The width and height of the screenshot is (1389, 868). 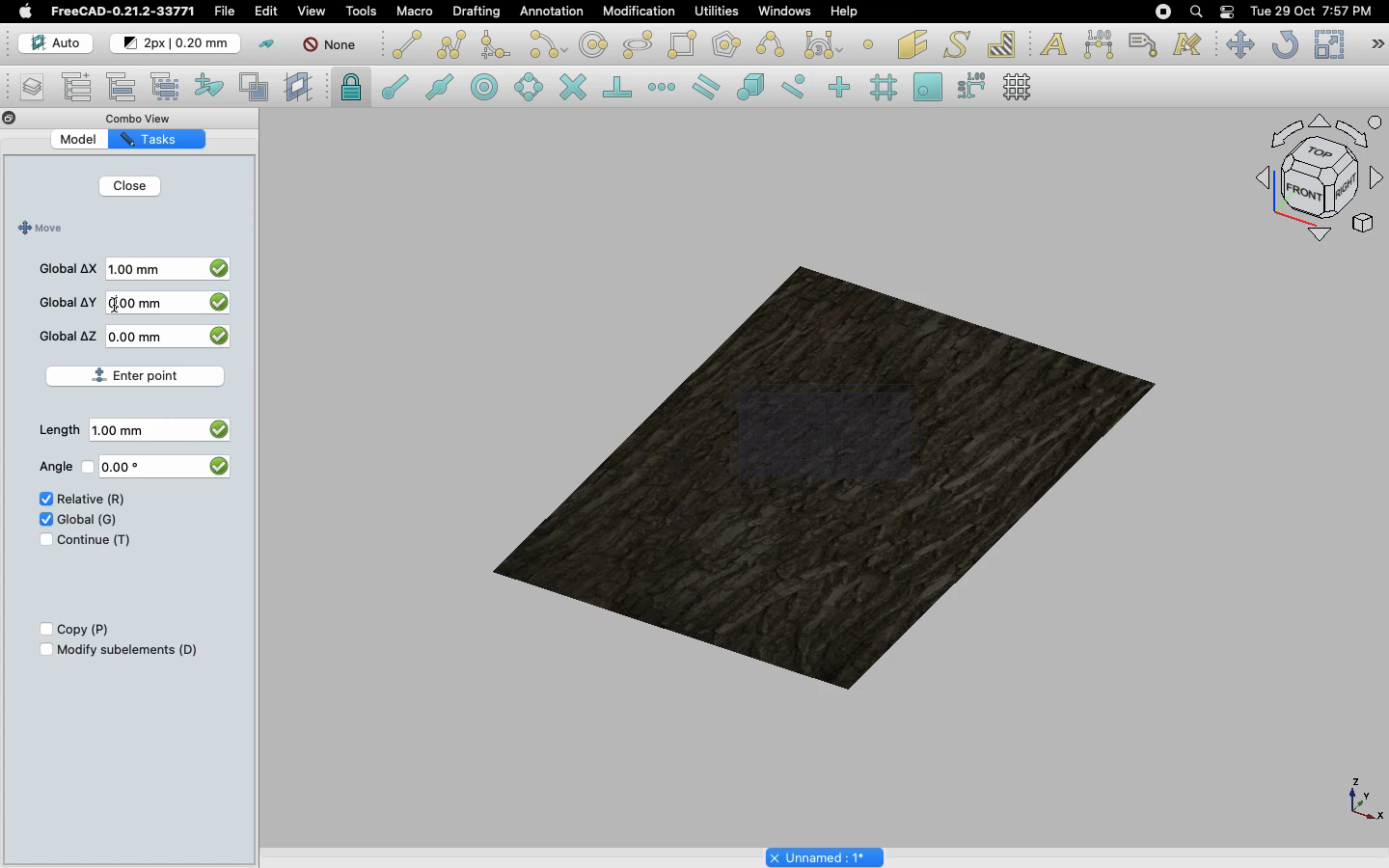 What do you see at coordinates (530, 89) in the screenshot?
I see `Snap angle` at bounding box center [530, 89].